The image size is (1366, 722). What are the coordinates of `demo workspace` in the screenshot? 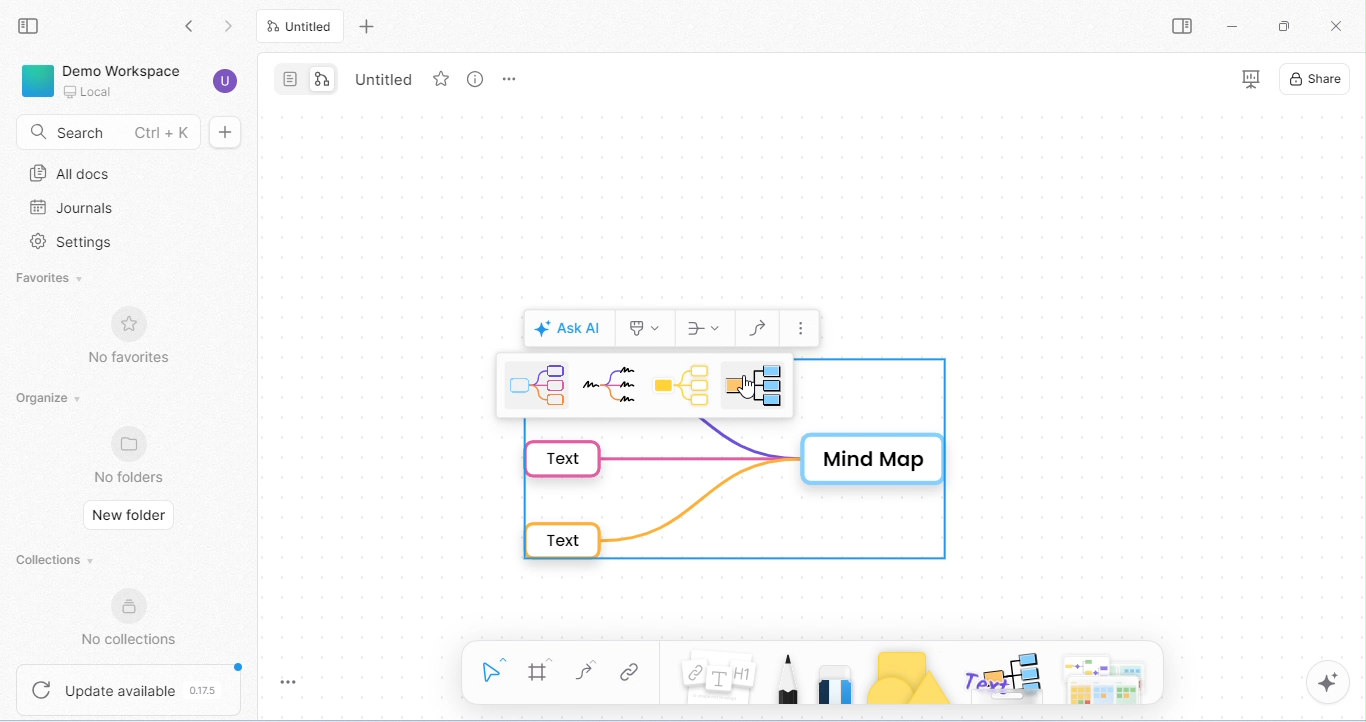 It's located at (103, 80).